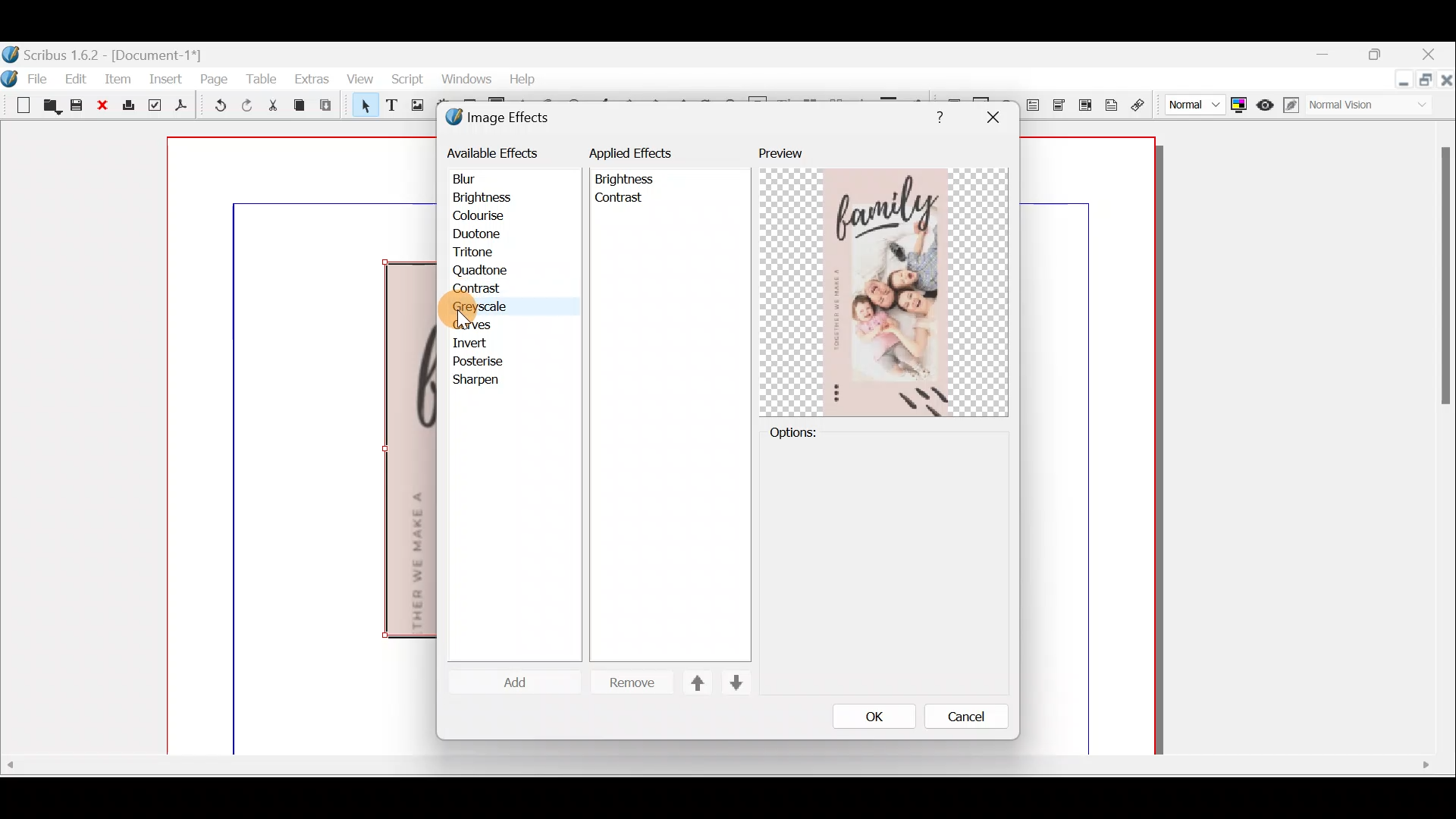 The width and height of the screenshot is (1456, 819). I want to click on Toggle colour management system, so click(1238, 106).